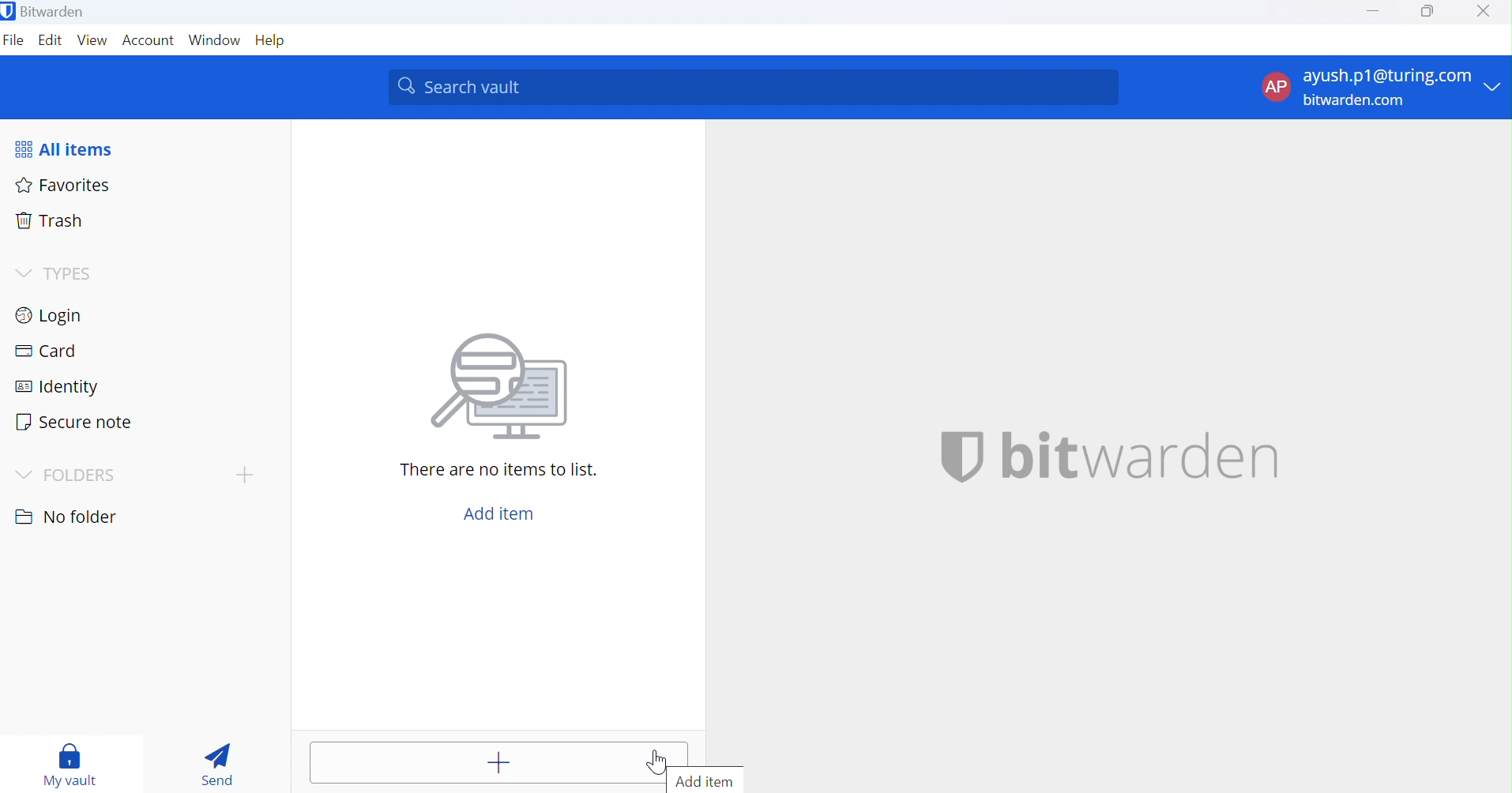 Image resolution: width=1512 pixels, height=793 pixels. Describe the element at coordinates (719, 780) in the screenshot. I see `Add item` at that location.